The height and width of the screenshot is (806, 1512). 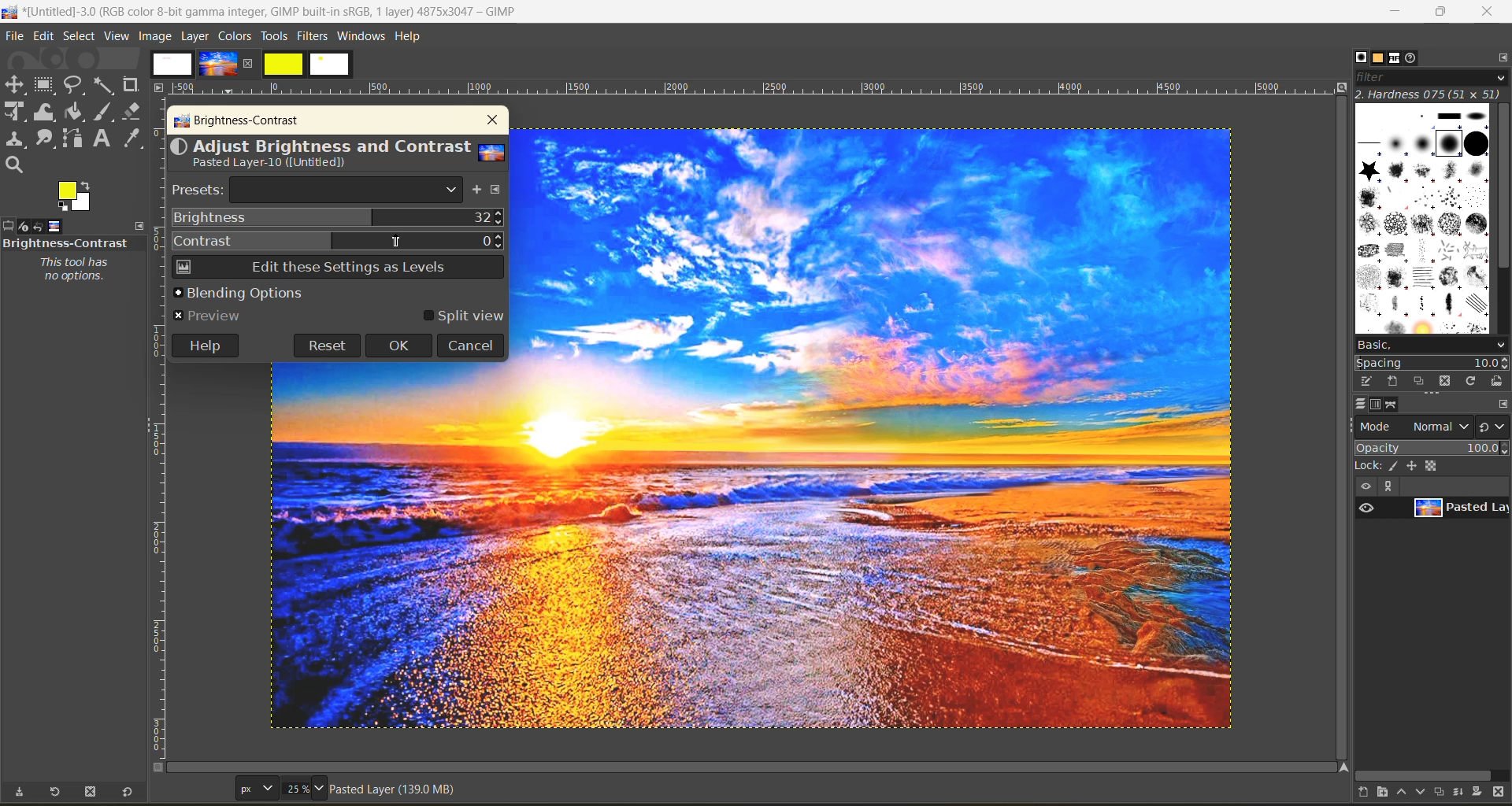 I want to click on brightness, so click(x=338, y=218).